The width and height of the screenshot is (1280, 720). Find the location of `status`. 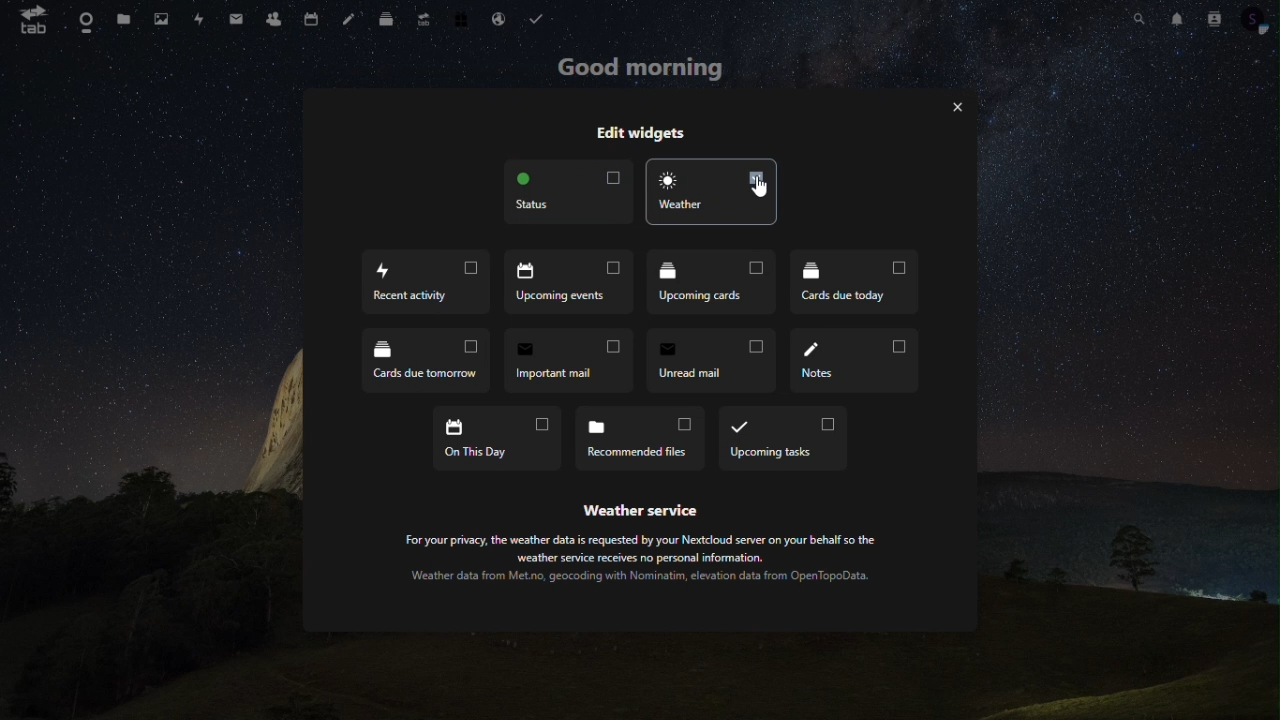

status is located at coordinates (566, 195).